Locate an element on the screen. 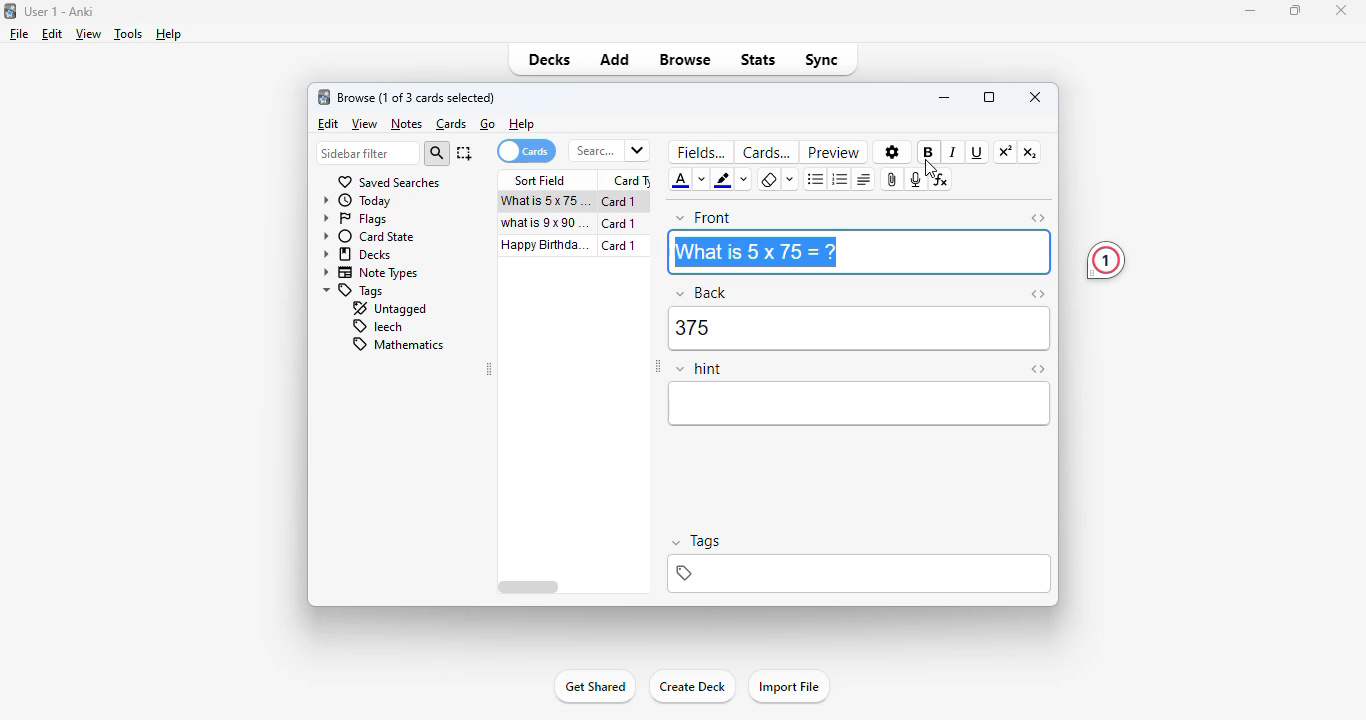  decks is located at coordinates (551, 59).